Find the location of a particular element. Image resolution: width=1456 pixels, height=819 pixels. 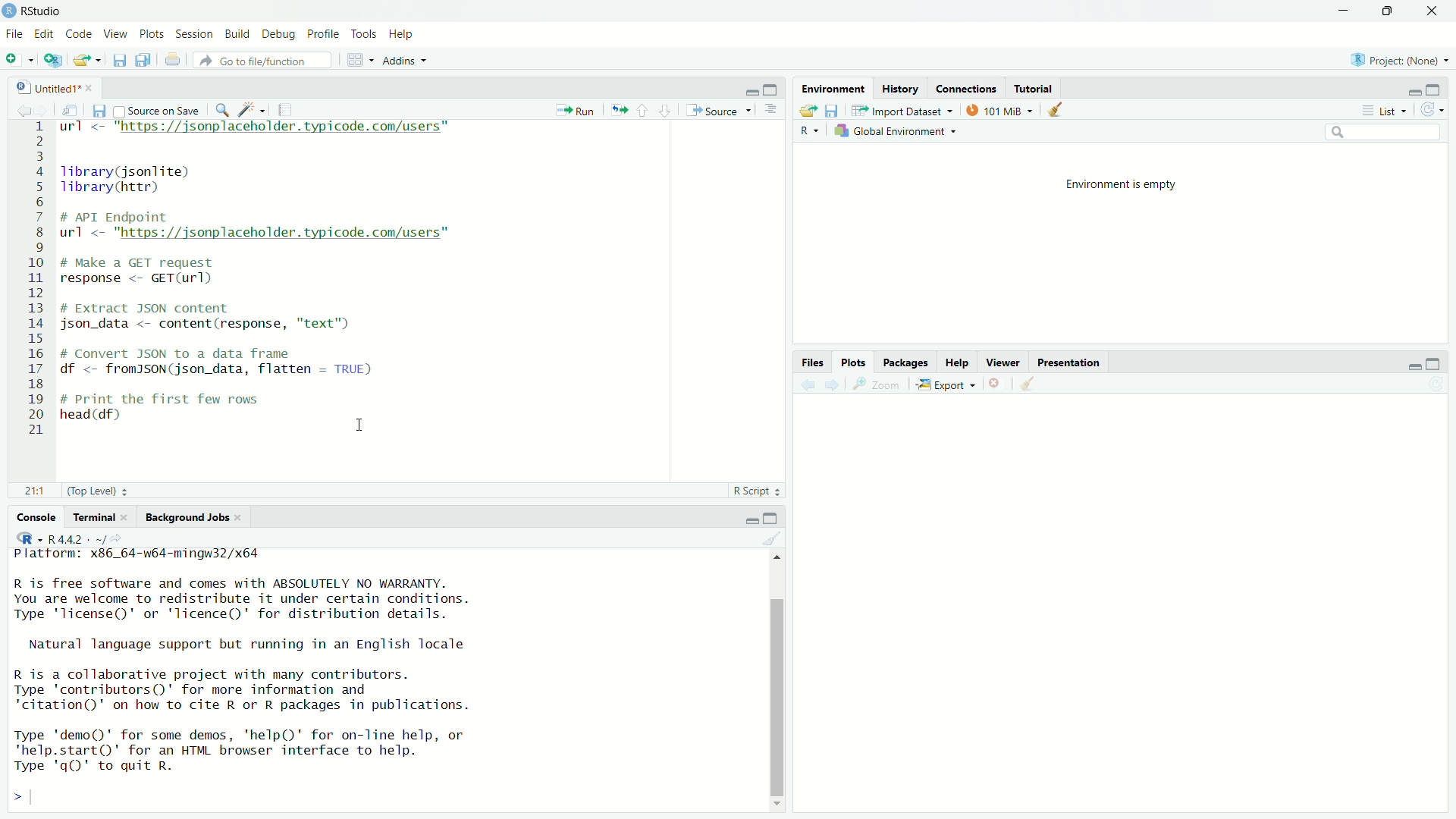

Show Document Outline is located at coordinates (772, 110).